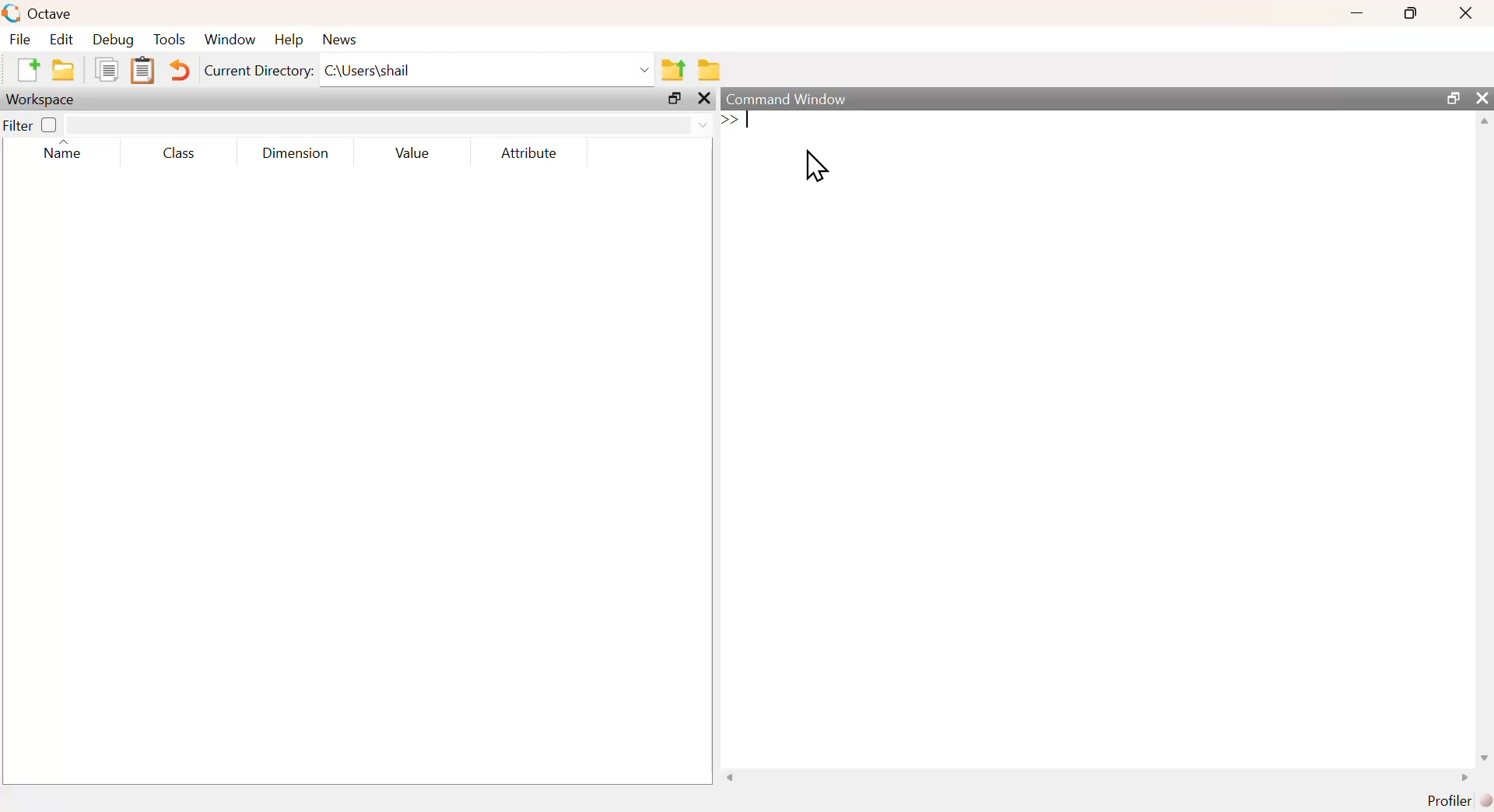 The width and height of the screenshot is (1494, 812). I want to click on filter, so click(18, 124).